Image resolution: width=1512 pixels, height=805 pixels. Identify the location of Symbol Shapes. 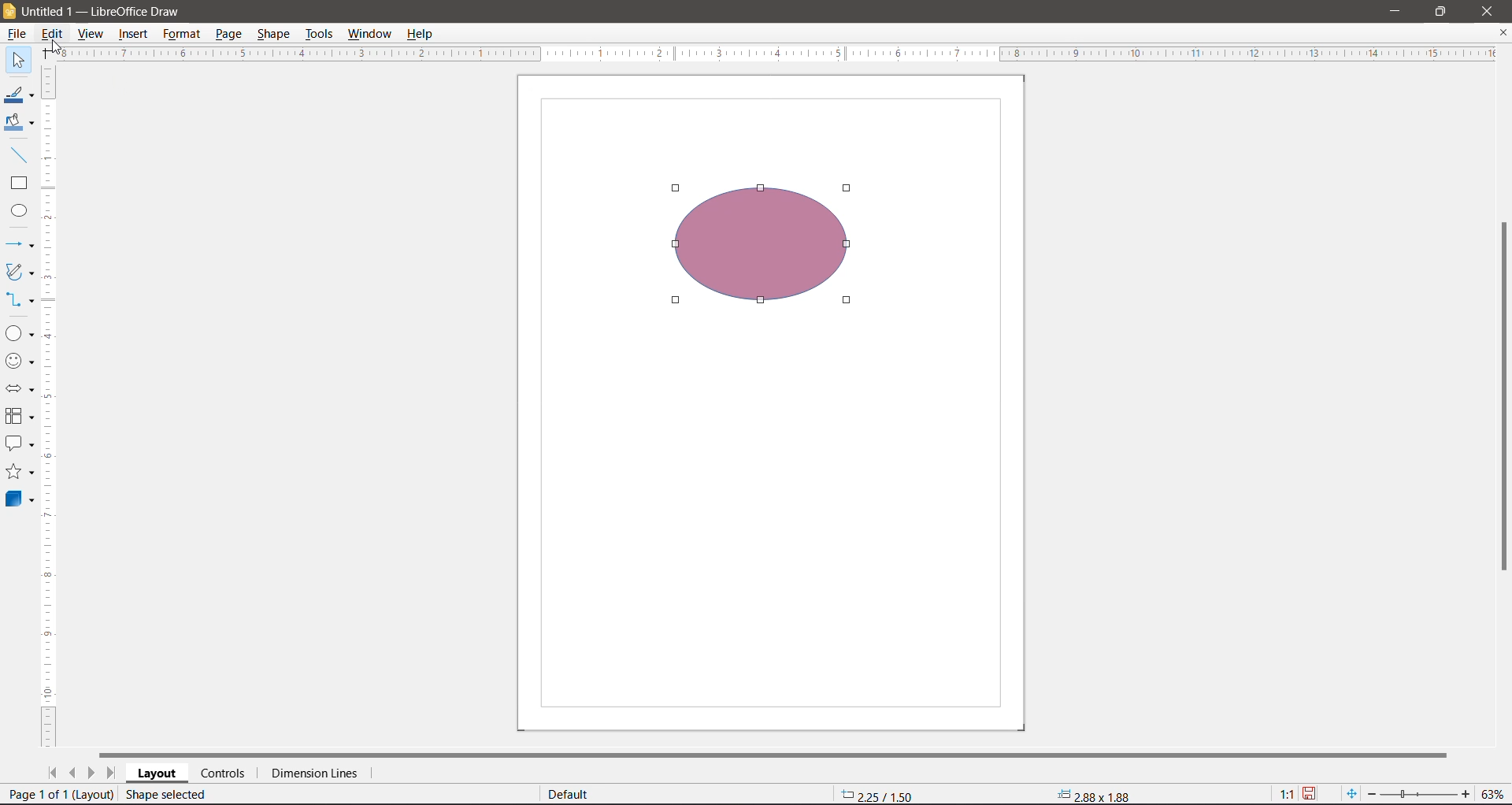
(22, 363).